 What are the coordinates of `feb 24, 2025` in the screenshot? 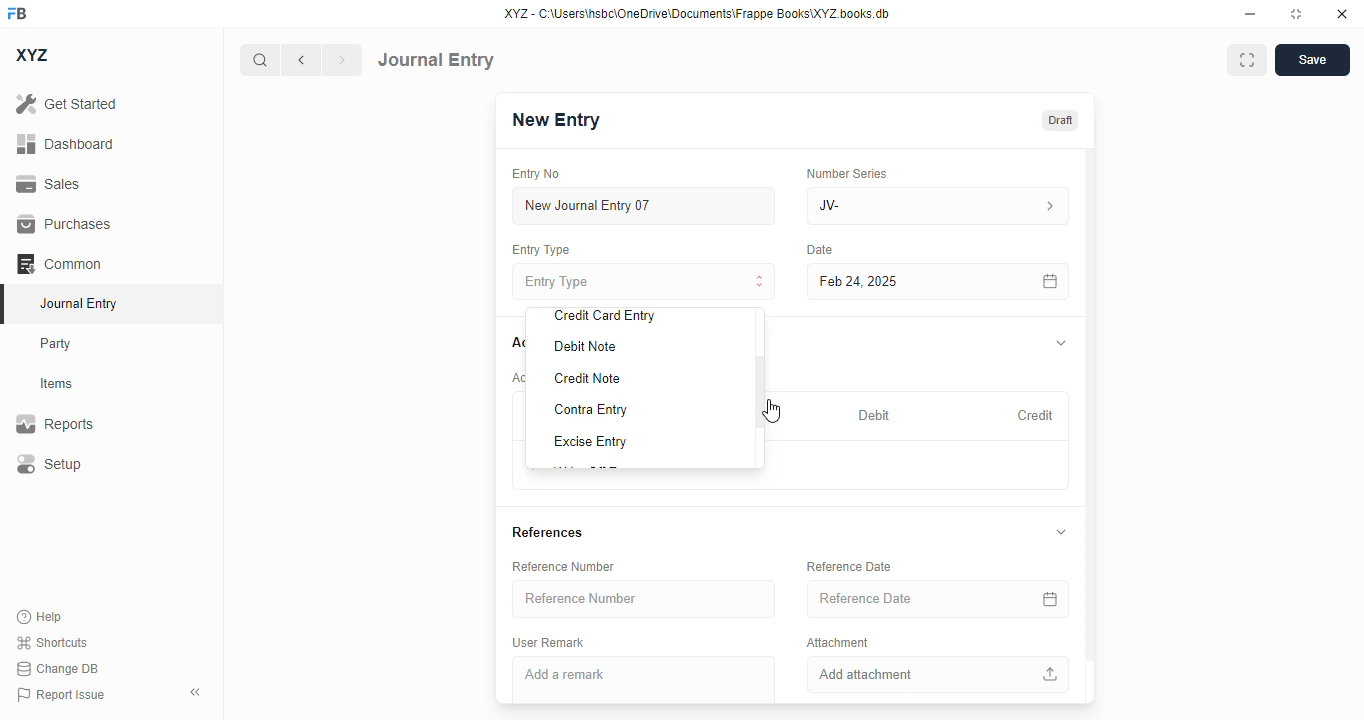 It's located at (895, 282).